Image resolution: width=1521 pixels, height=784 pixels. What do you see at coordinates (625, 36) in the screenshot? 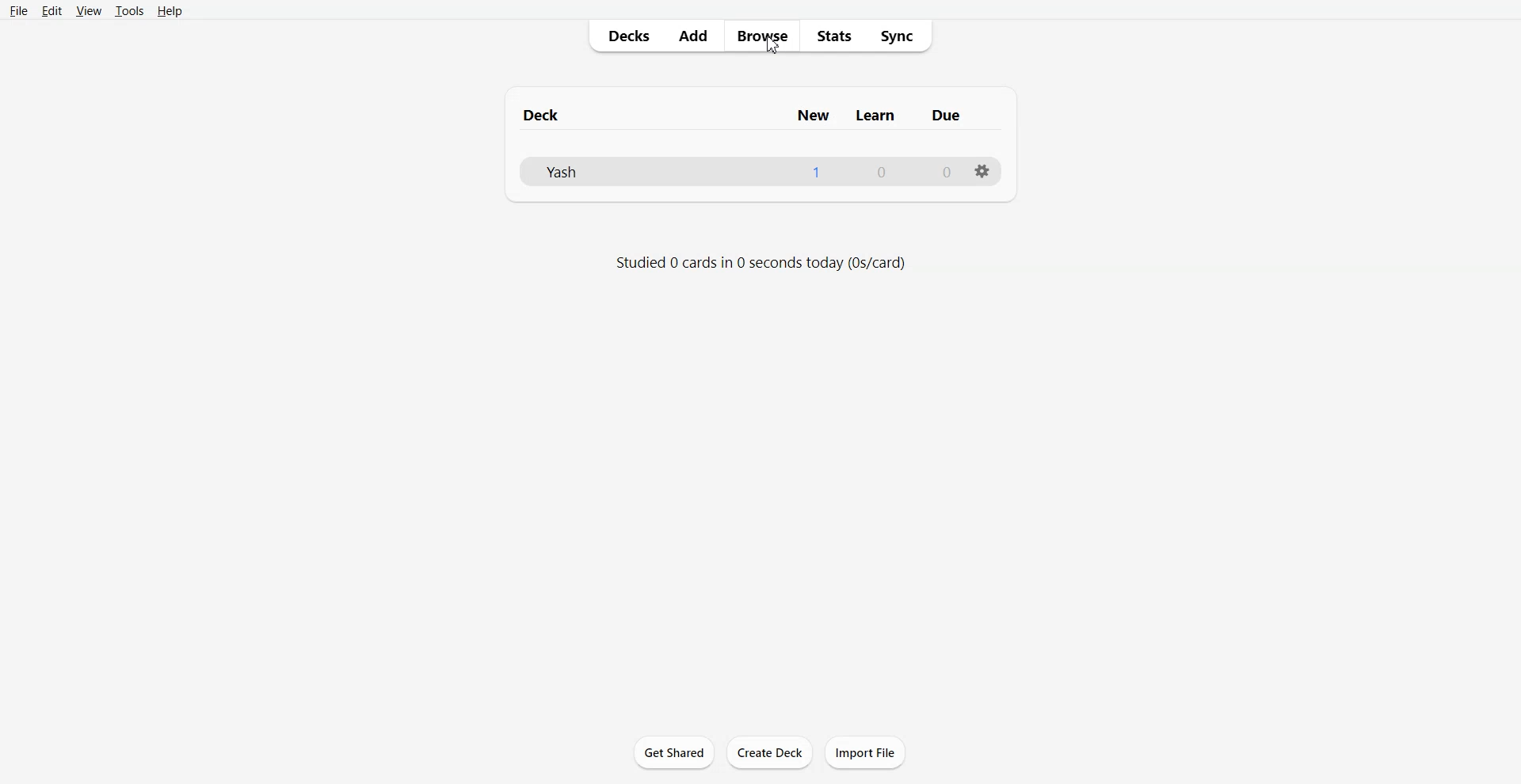
I see `Decks` at bounding box center [625, 36].